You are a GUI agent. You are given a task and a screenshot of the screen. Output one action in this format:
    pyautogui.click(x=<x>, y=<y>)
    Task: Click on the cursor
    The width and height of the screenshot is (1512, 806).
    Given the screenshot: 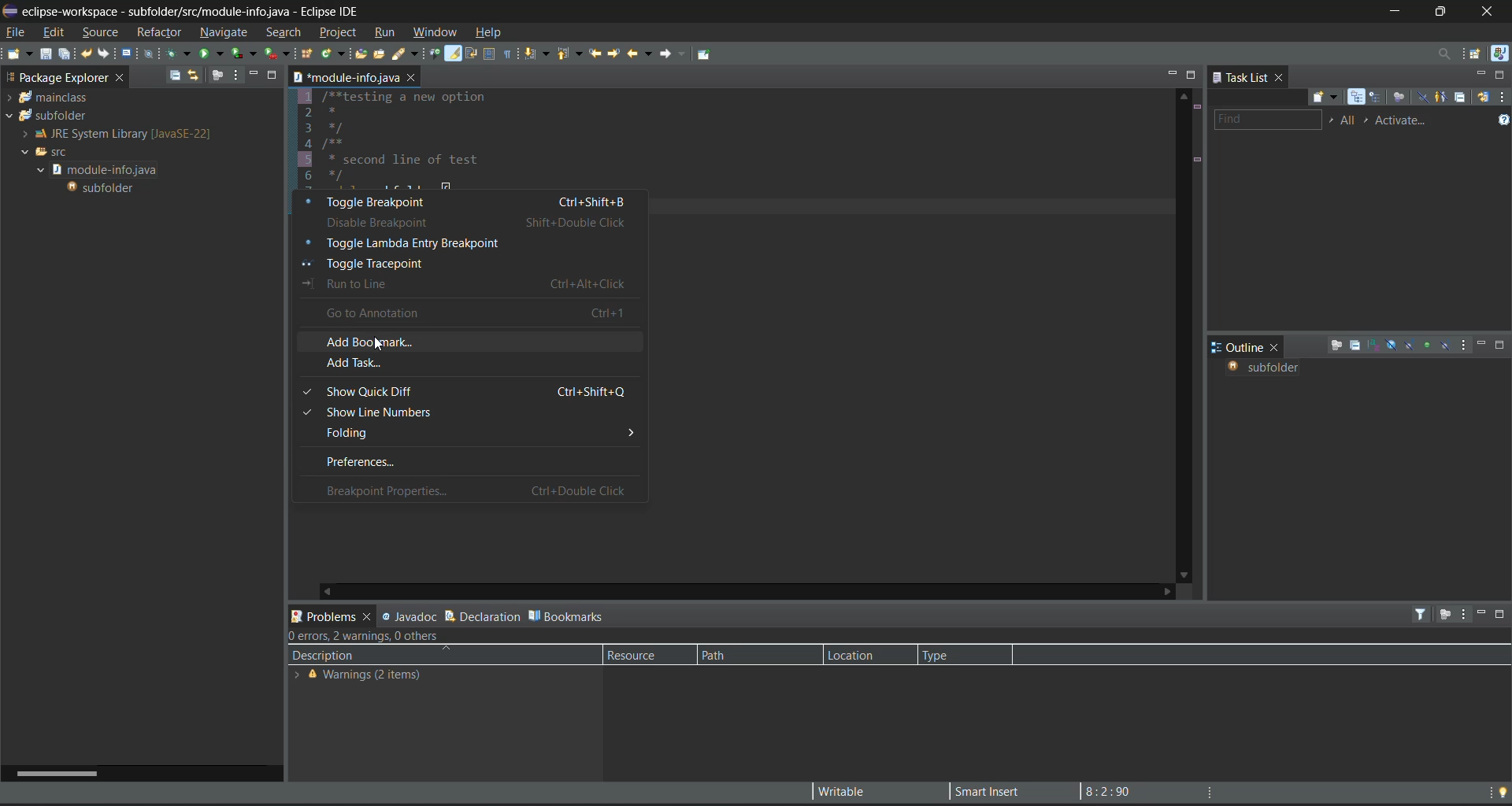 What is the action you would take?
    pyautogui.click(x=379, y=346)
    